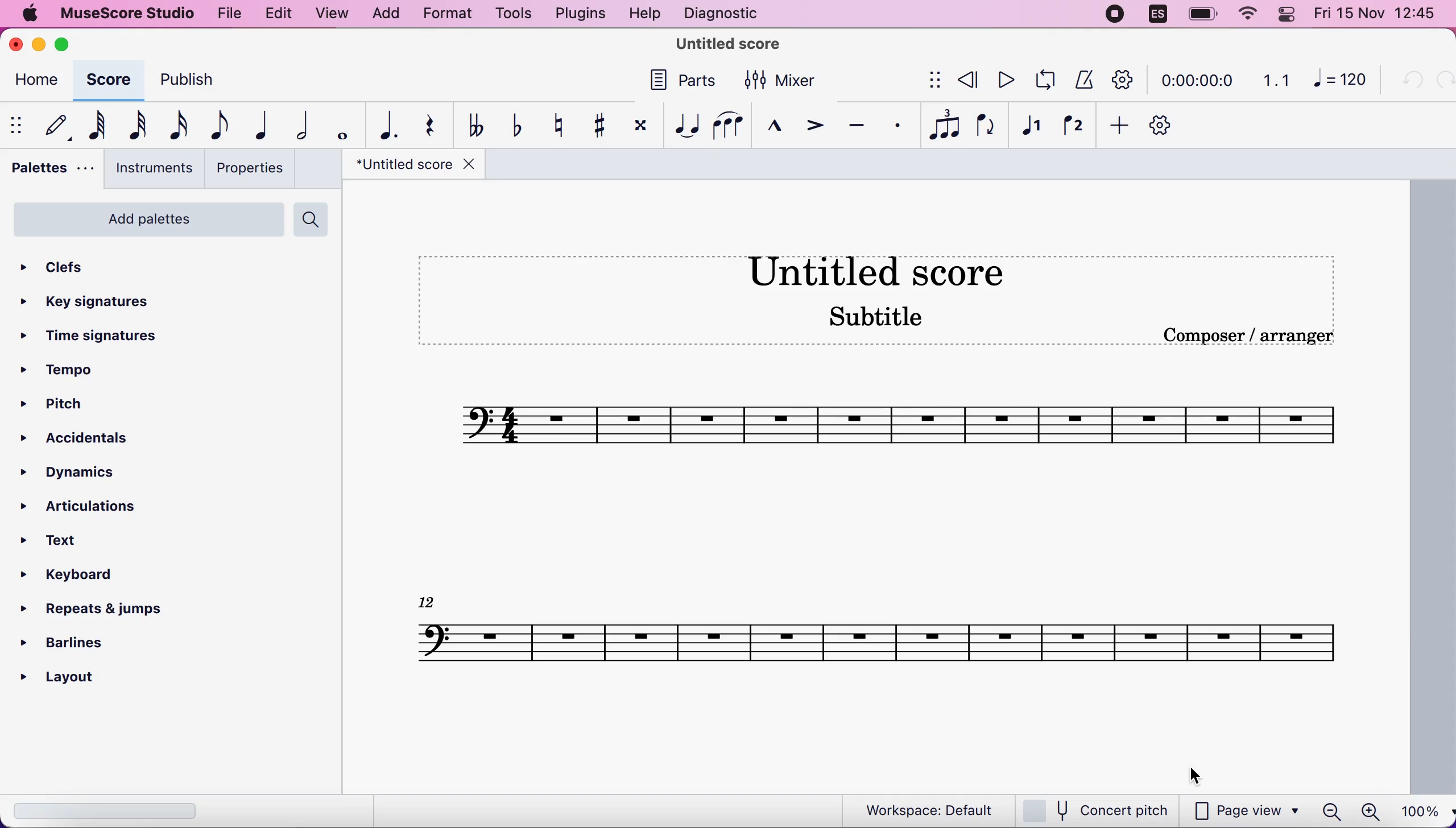  I want to click on panel control, so click(1289, 15).